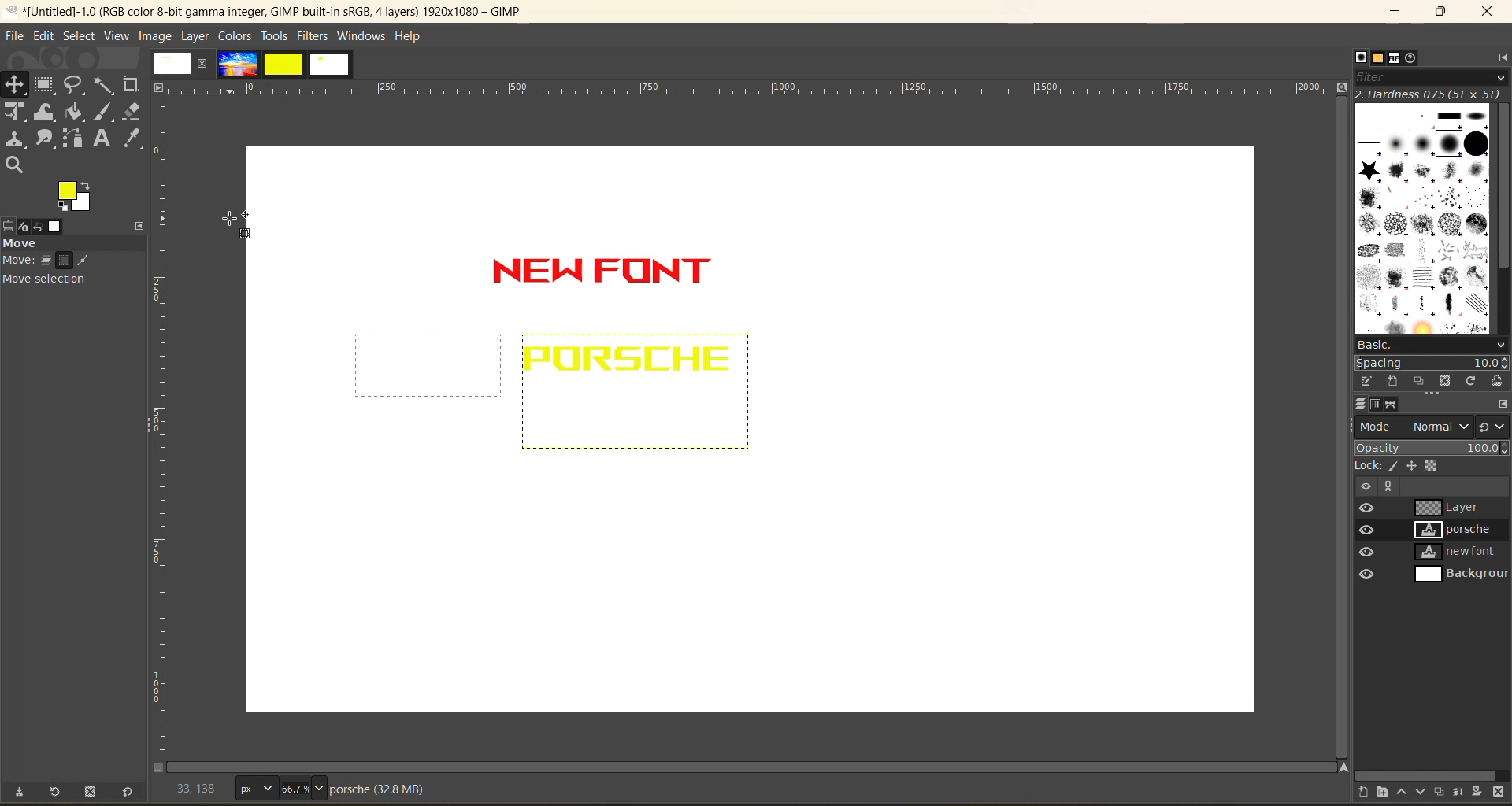 The width and height of the screenshot is (1512, 806). What do you see at coordinates (9, 226) in the screenshot?
I see `tool options` at bounding box center [9, 226].